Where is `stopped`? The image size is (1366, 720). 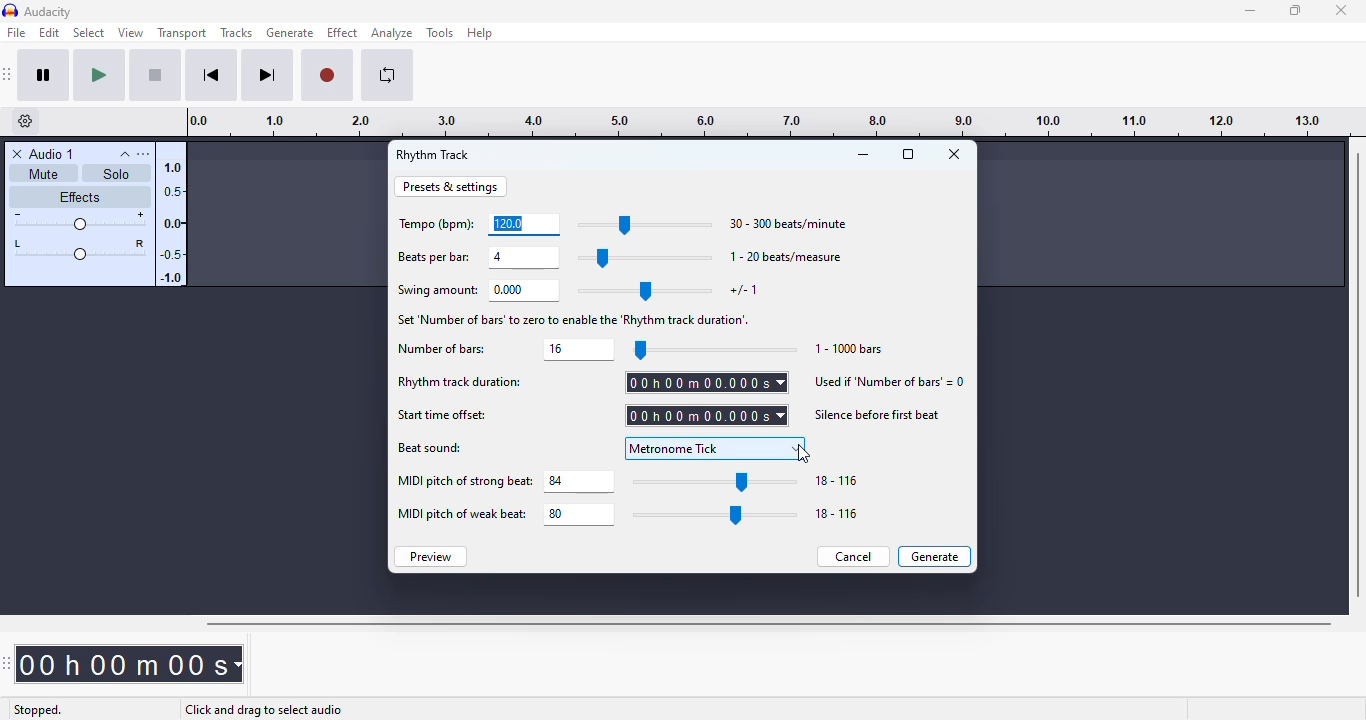 stopped is located at coordinates (38, 710).